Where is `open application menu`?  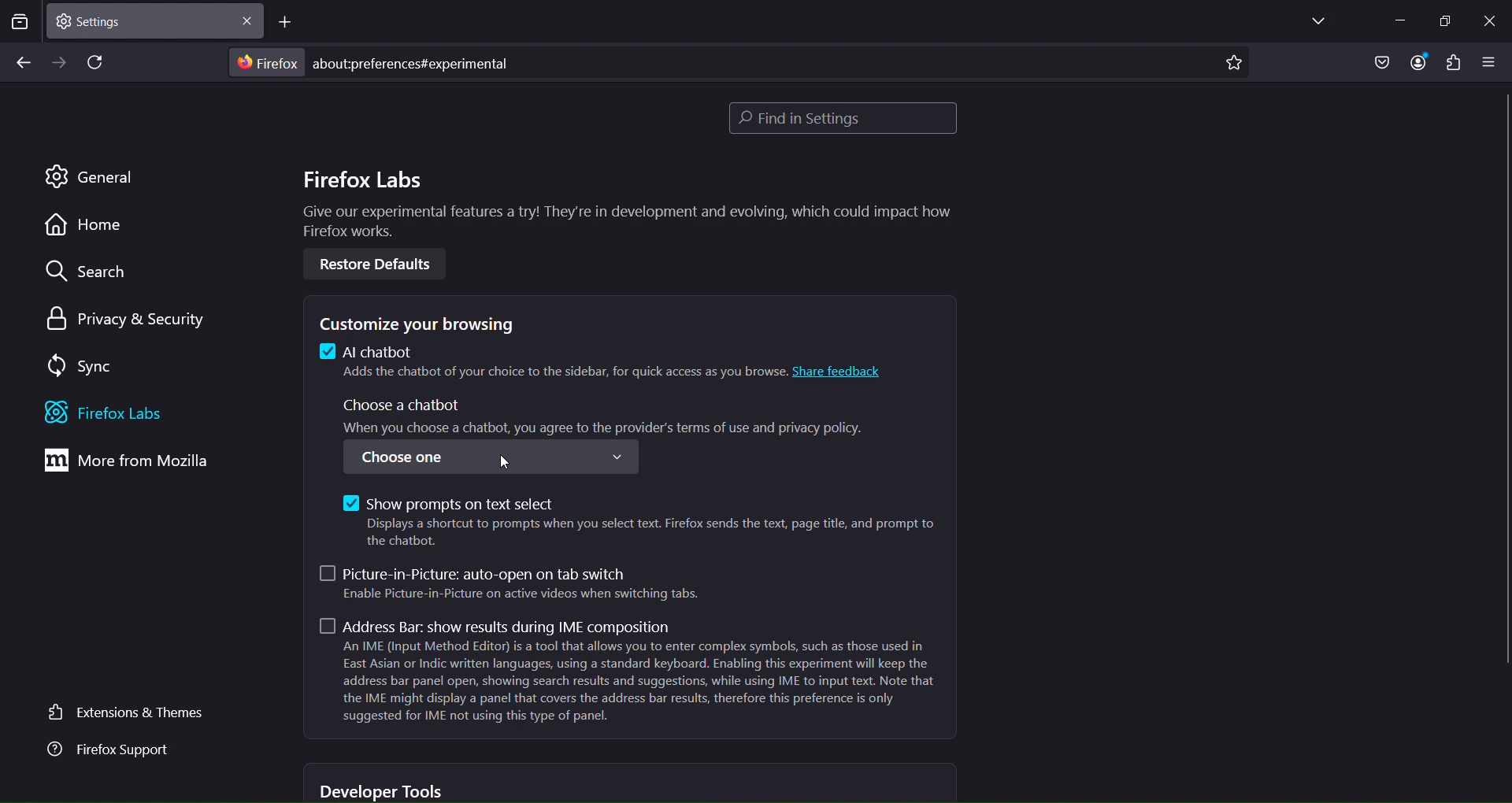 open application menu is located at coordinates (1492, 63).